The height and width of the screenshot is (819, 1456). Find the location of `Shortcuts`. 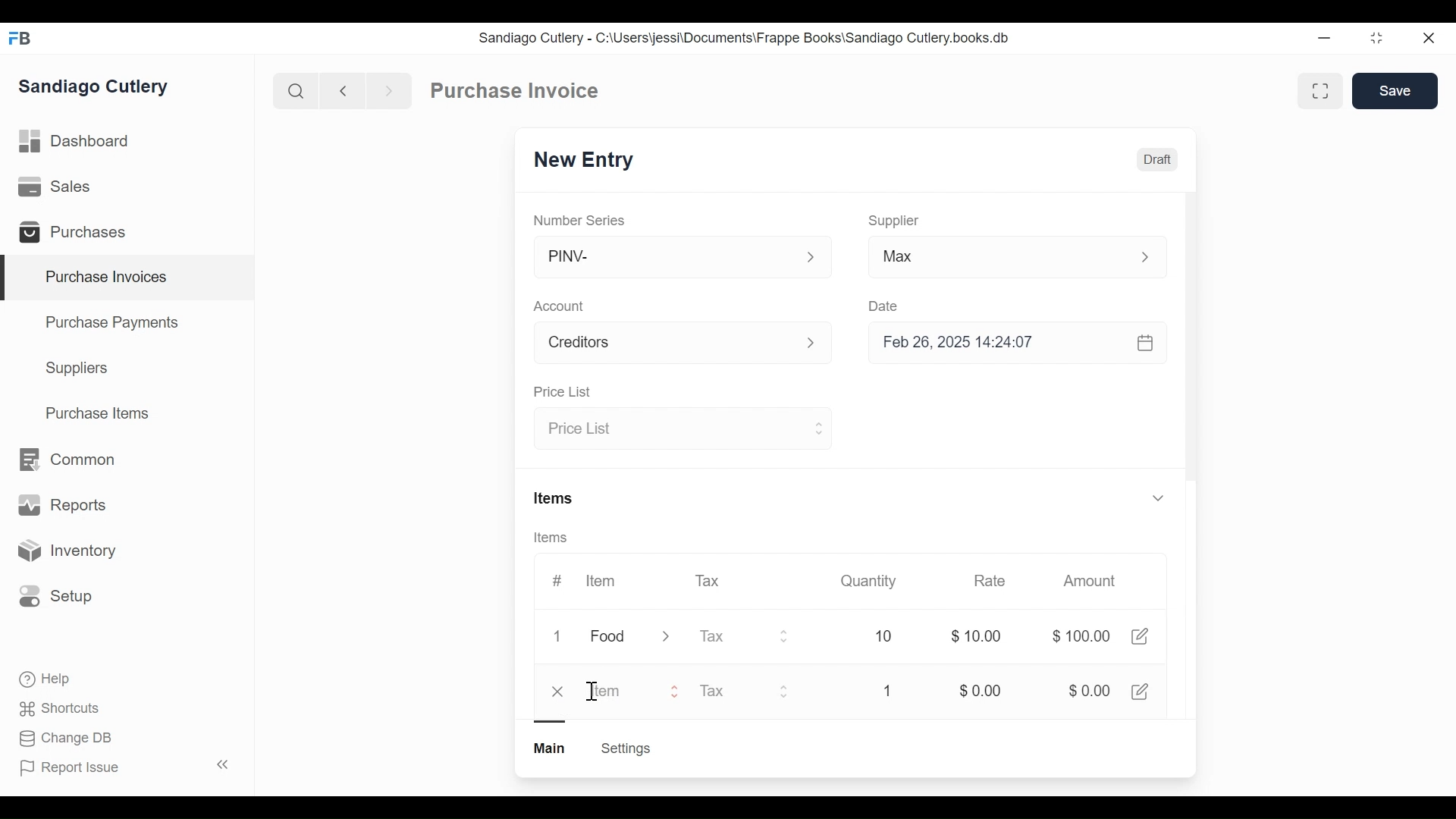

Shortcuts is located at coordinates (61, 708).